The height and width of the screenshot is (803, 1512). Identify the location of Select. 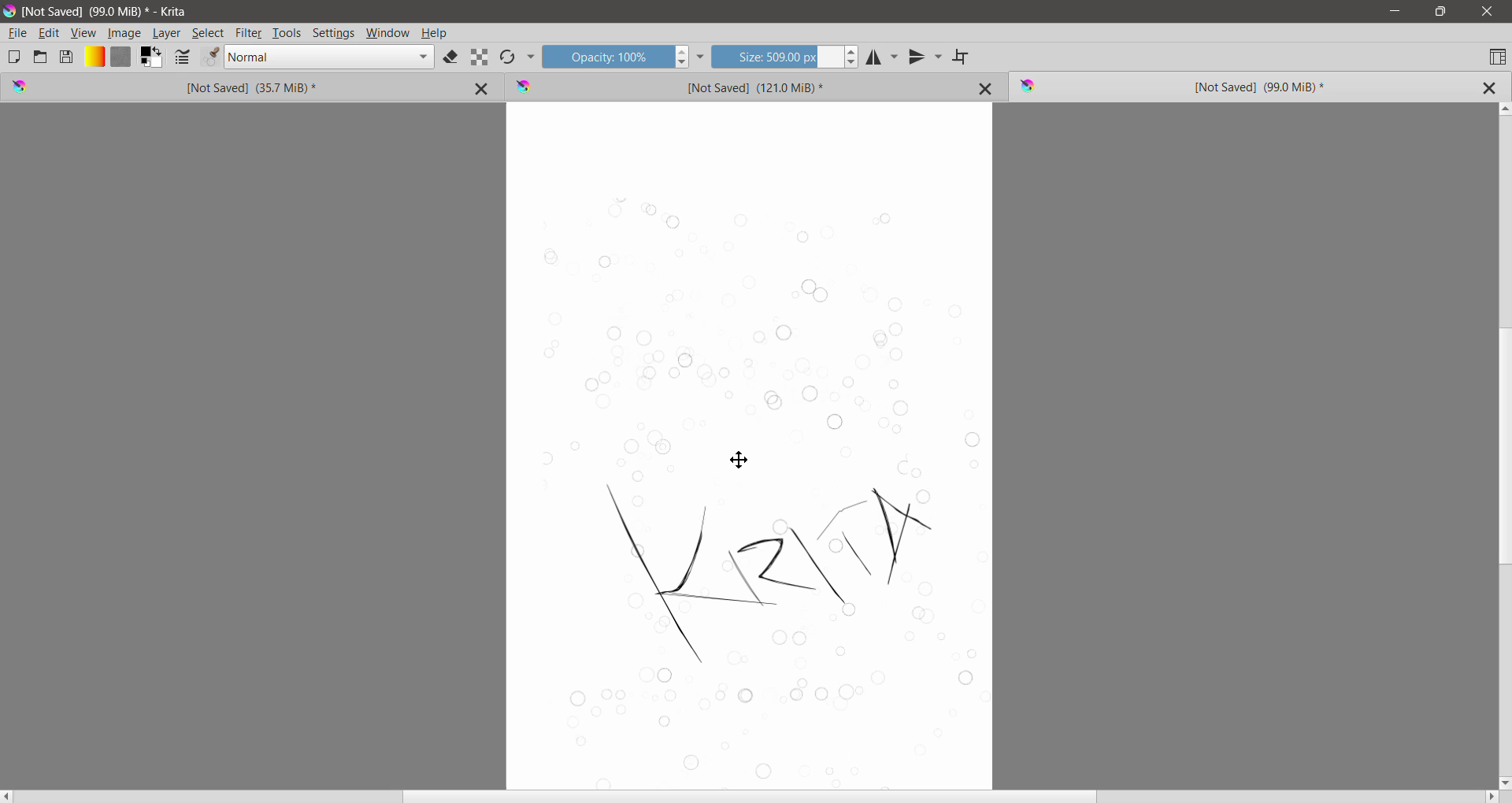
(209, 33).